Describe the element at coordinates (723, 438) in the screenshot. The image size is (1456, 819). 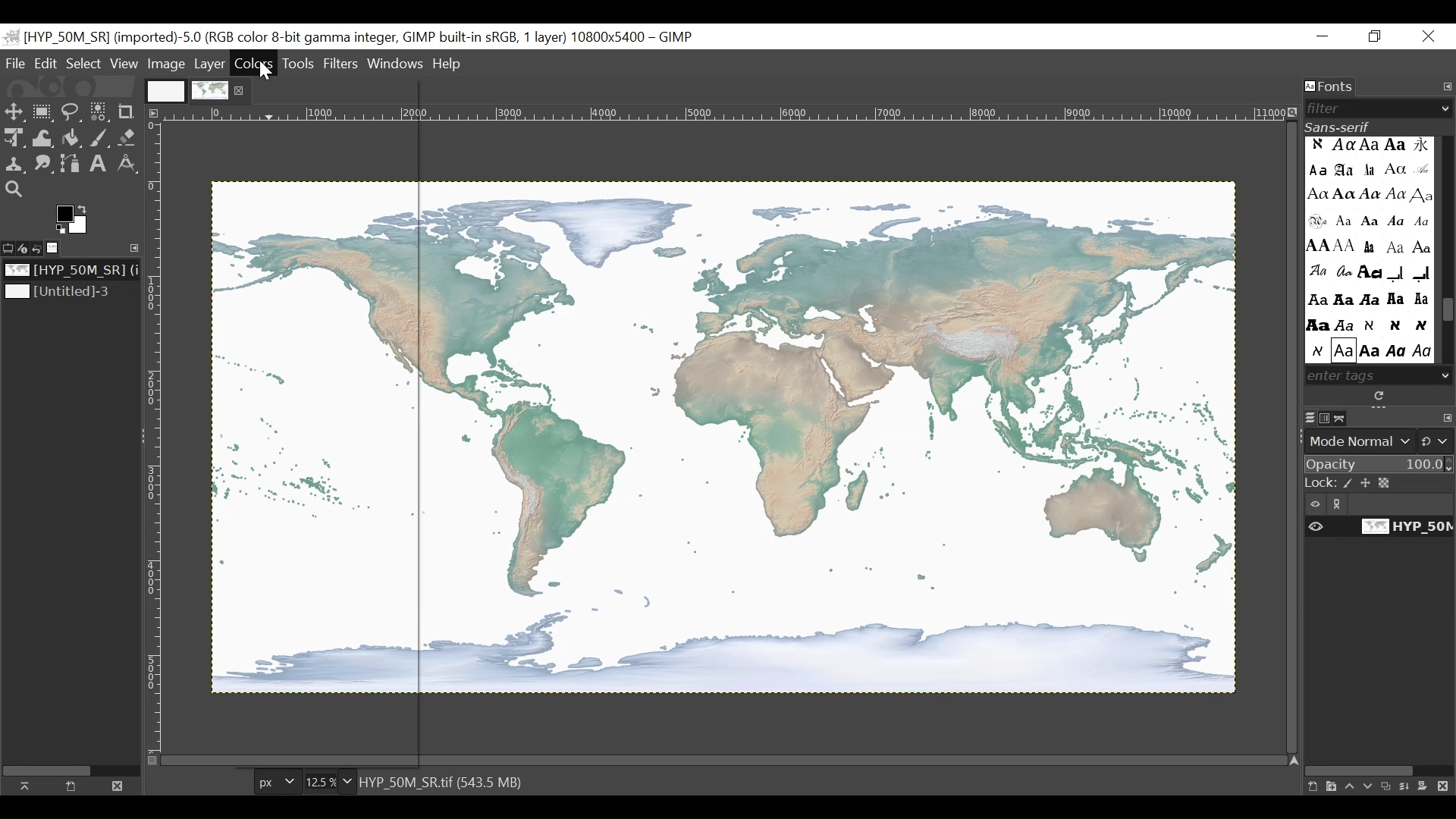
I see `Image` at that location.